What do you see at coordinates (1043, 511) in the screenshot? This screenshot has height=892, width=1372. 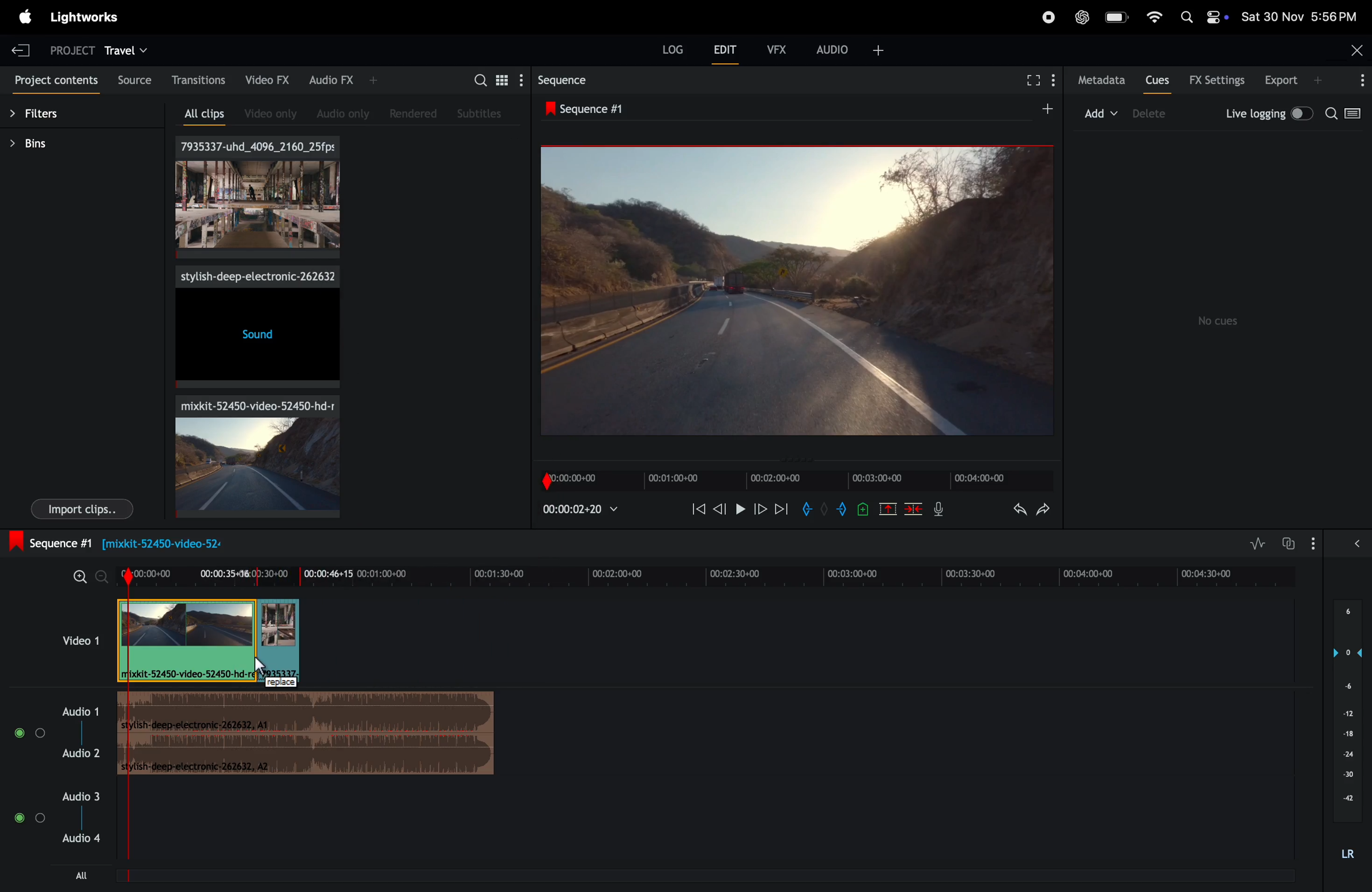 I see `redo` at bounding box center [1043, 511].